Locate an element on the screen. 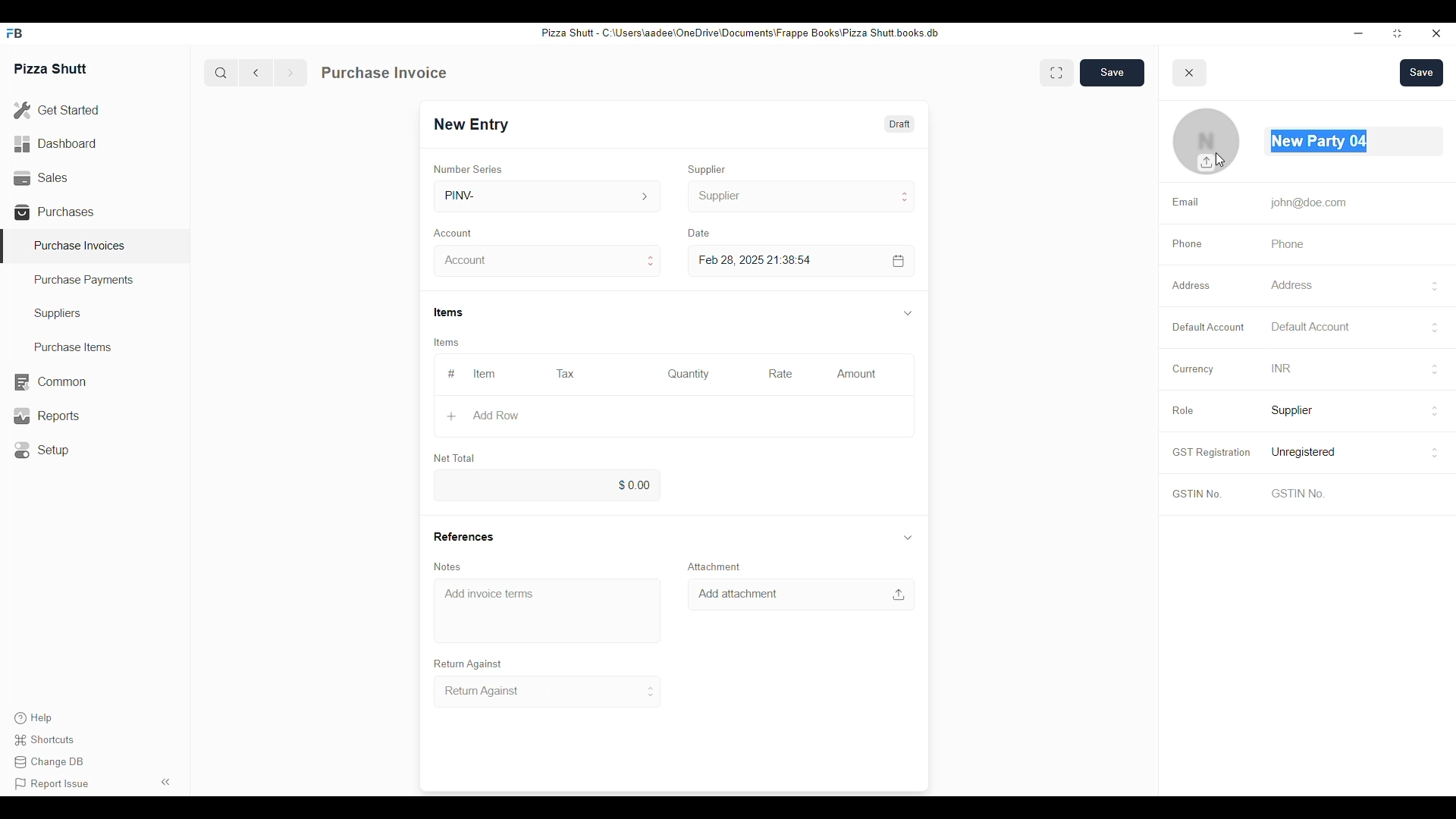 The image size is (1456, 819). forward is located at coordinates (290, 73).